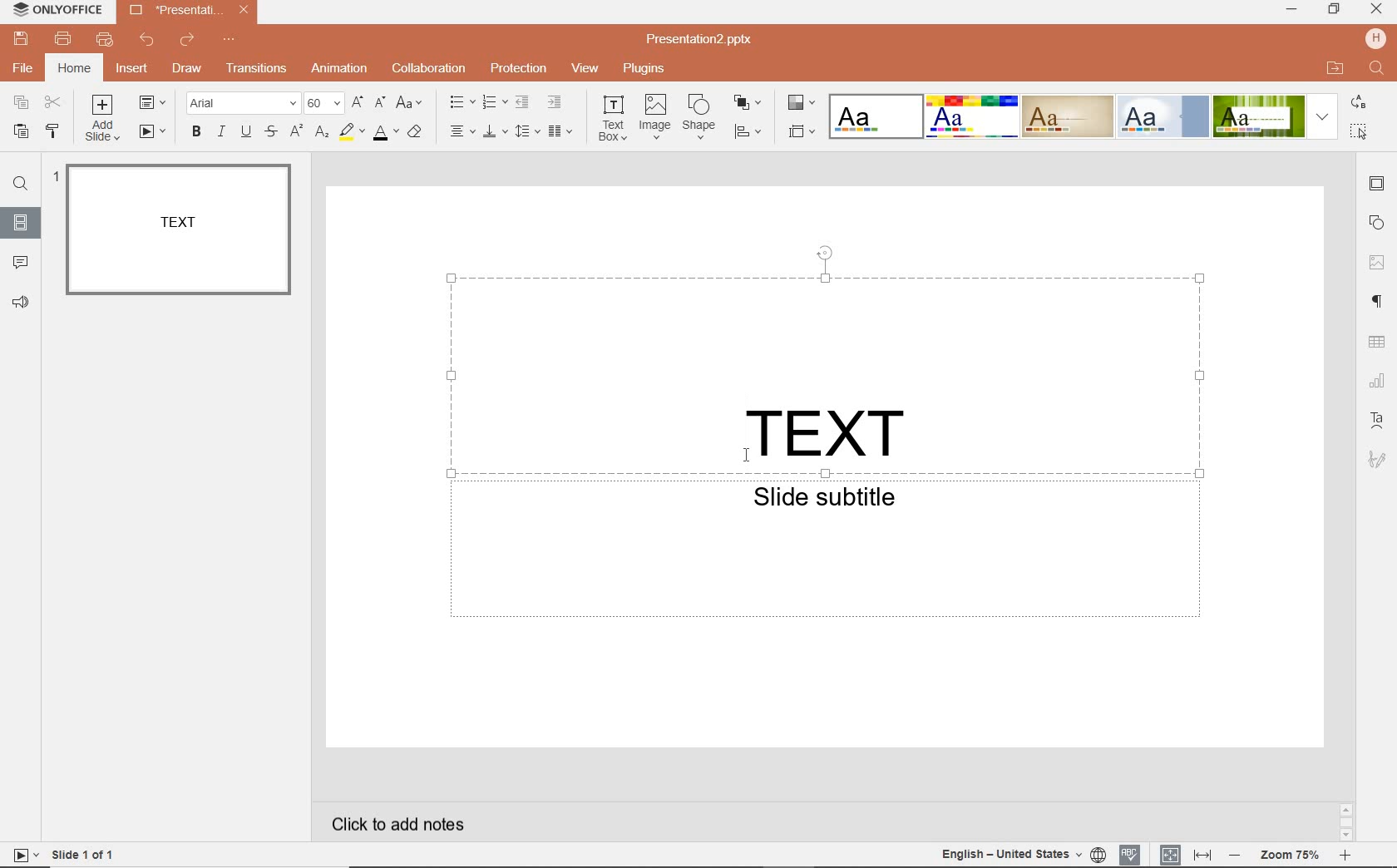 The width and height of the screenshot is (1397, 868). Describe the element at coordinates (1377, 10) in the screenshot. I see `close` at that location.